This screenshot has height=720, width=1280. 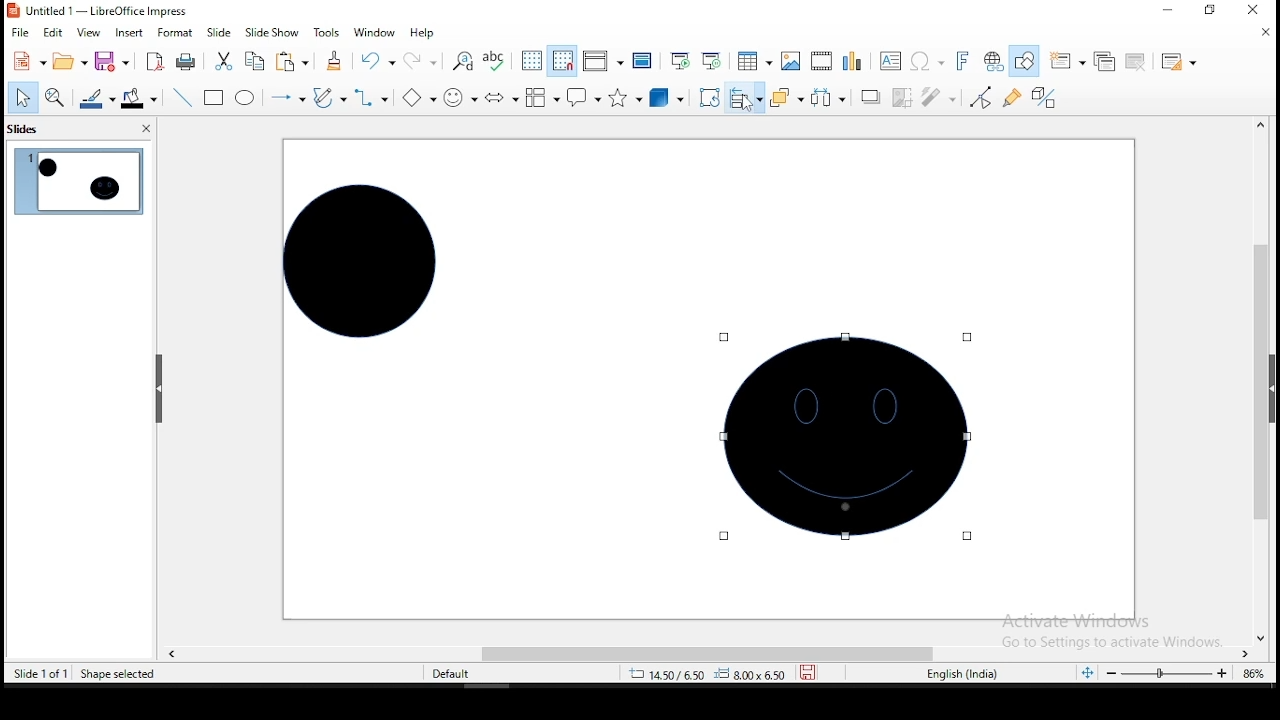 I want to click on redo, so click(x=422, y=61).